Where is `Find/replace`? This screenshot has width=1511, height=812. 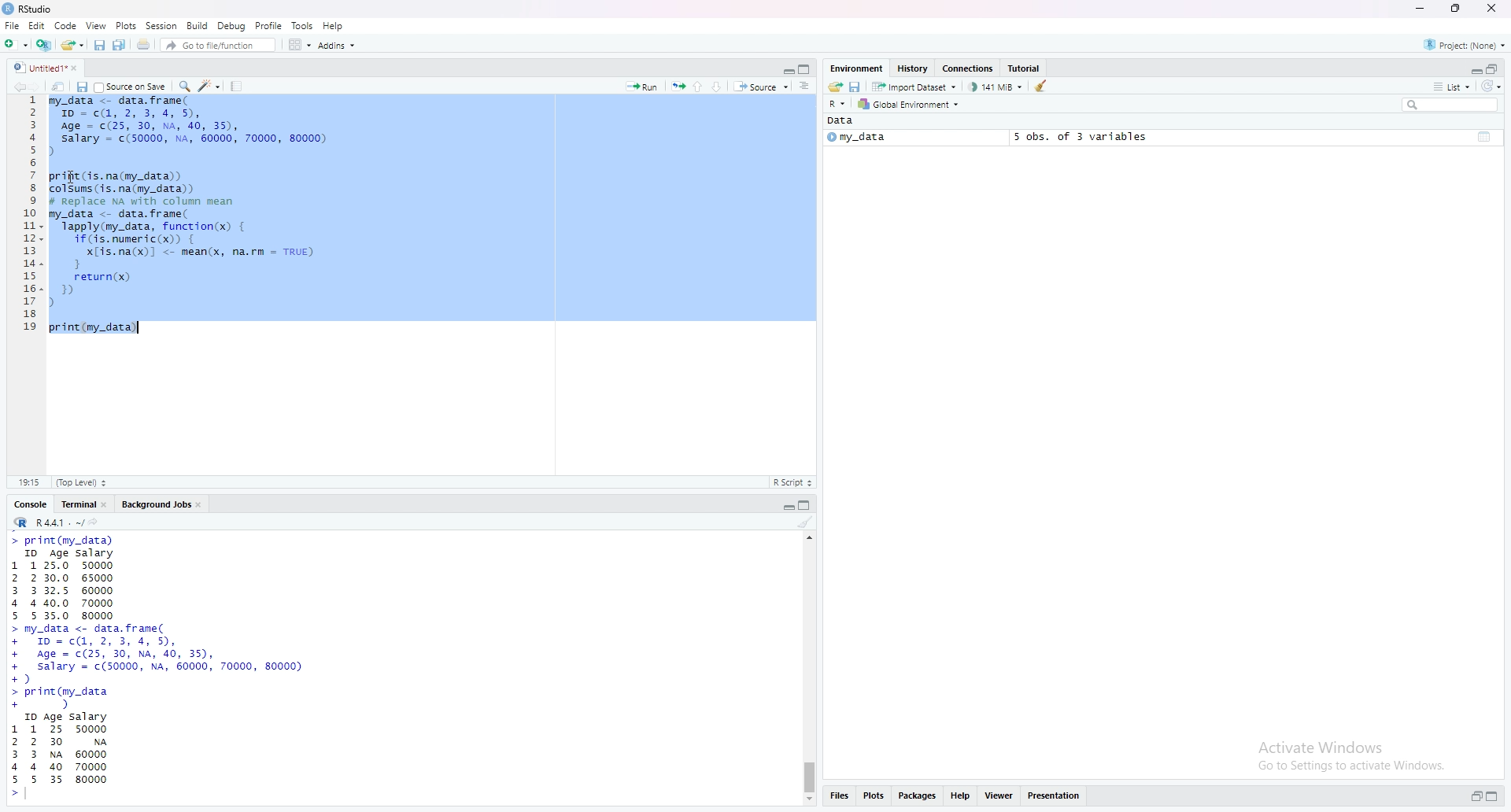
Find/replace is located at coordinates (186, 85).